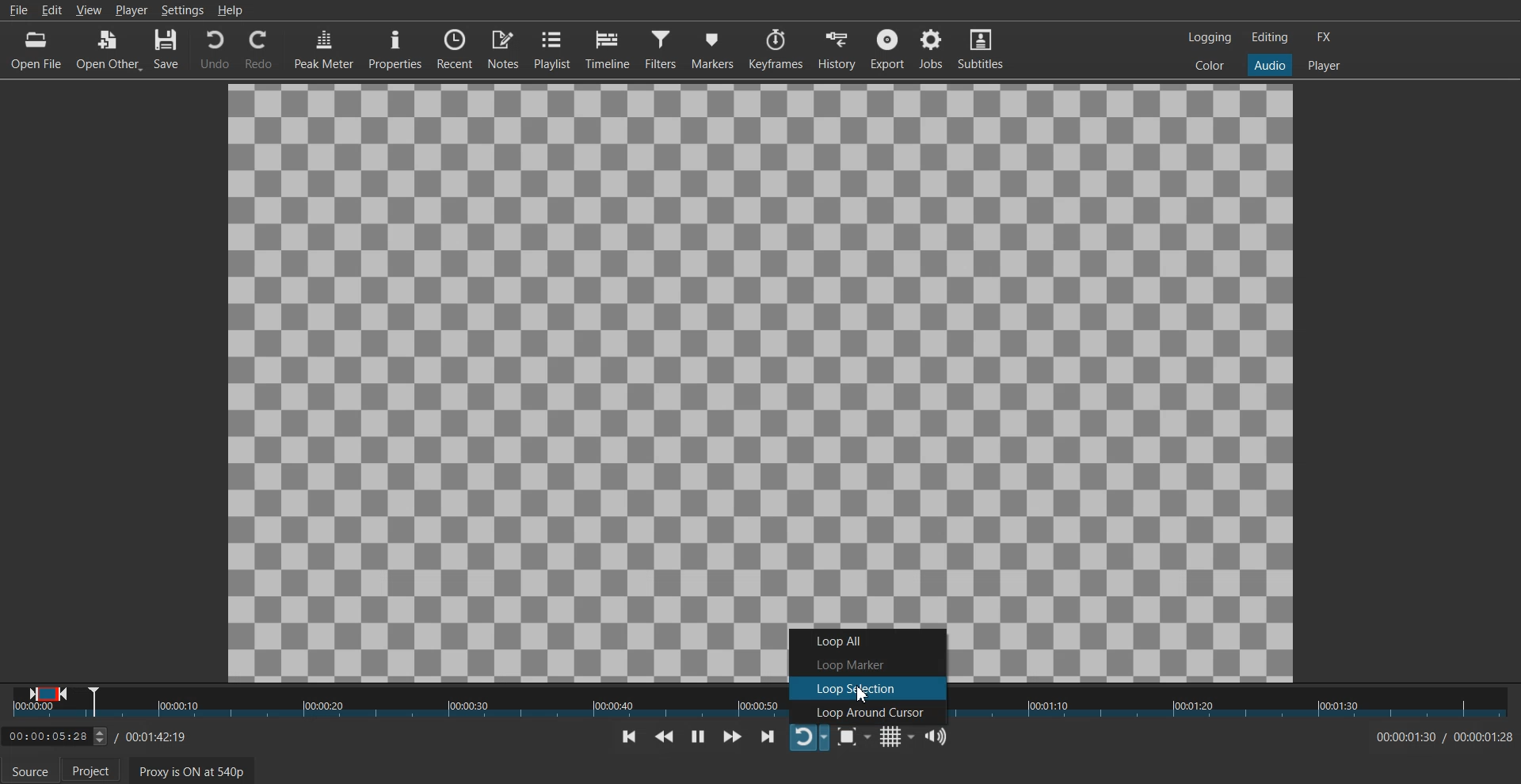 The image size is (1521, 784). What do you see at coordinates (896, 736) in the screenshot?
I see `Toggle grid display` at bounding box center [896, 736].